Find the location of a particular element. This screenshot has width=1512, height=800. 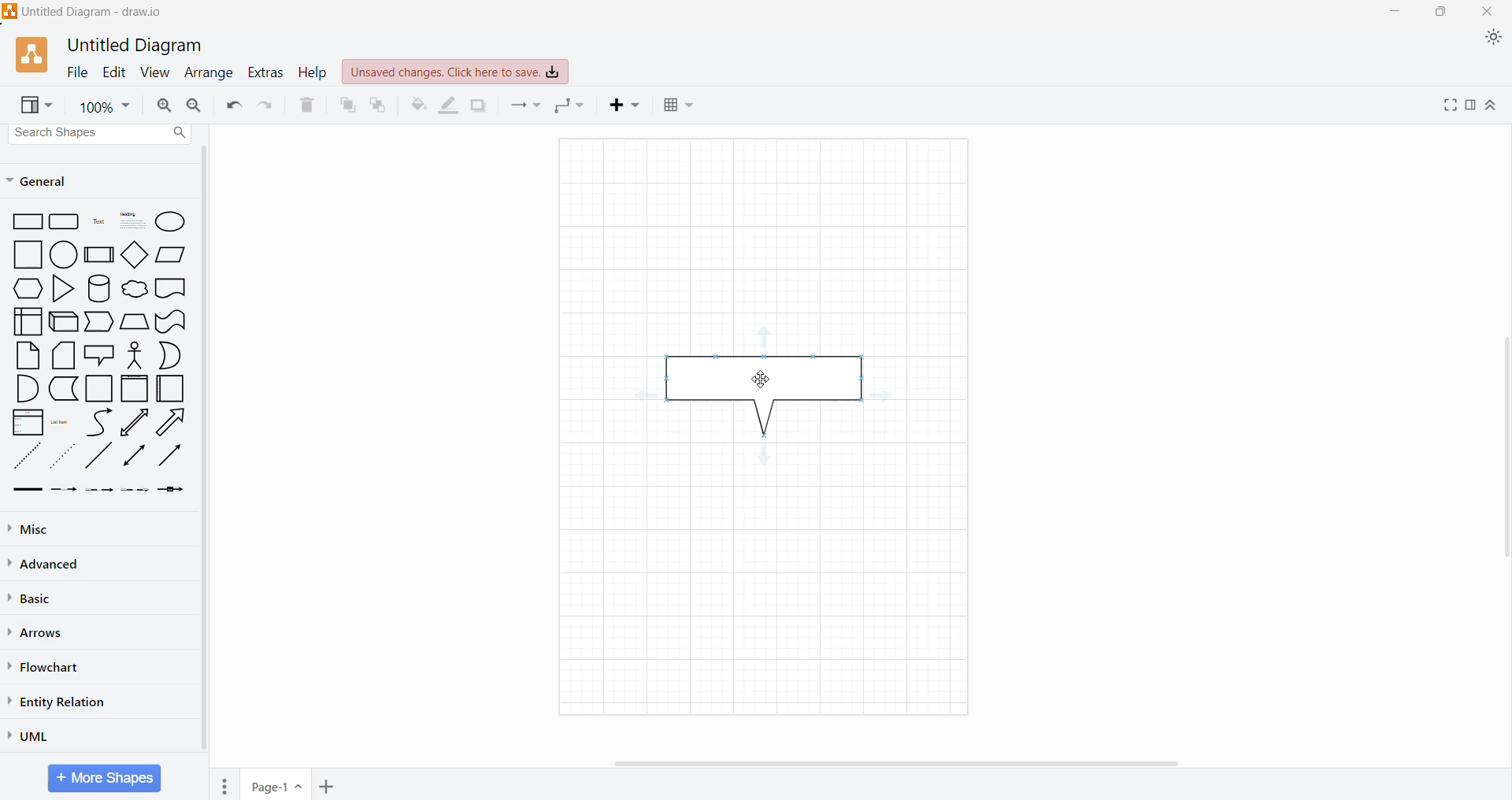

user interface is located at coordinates (28, 321).